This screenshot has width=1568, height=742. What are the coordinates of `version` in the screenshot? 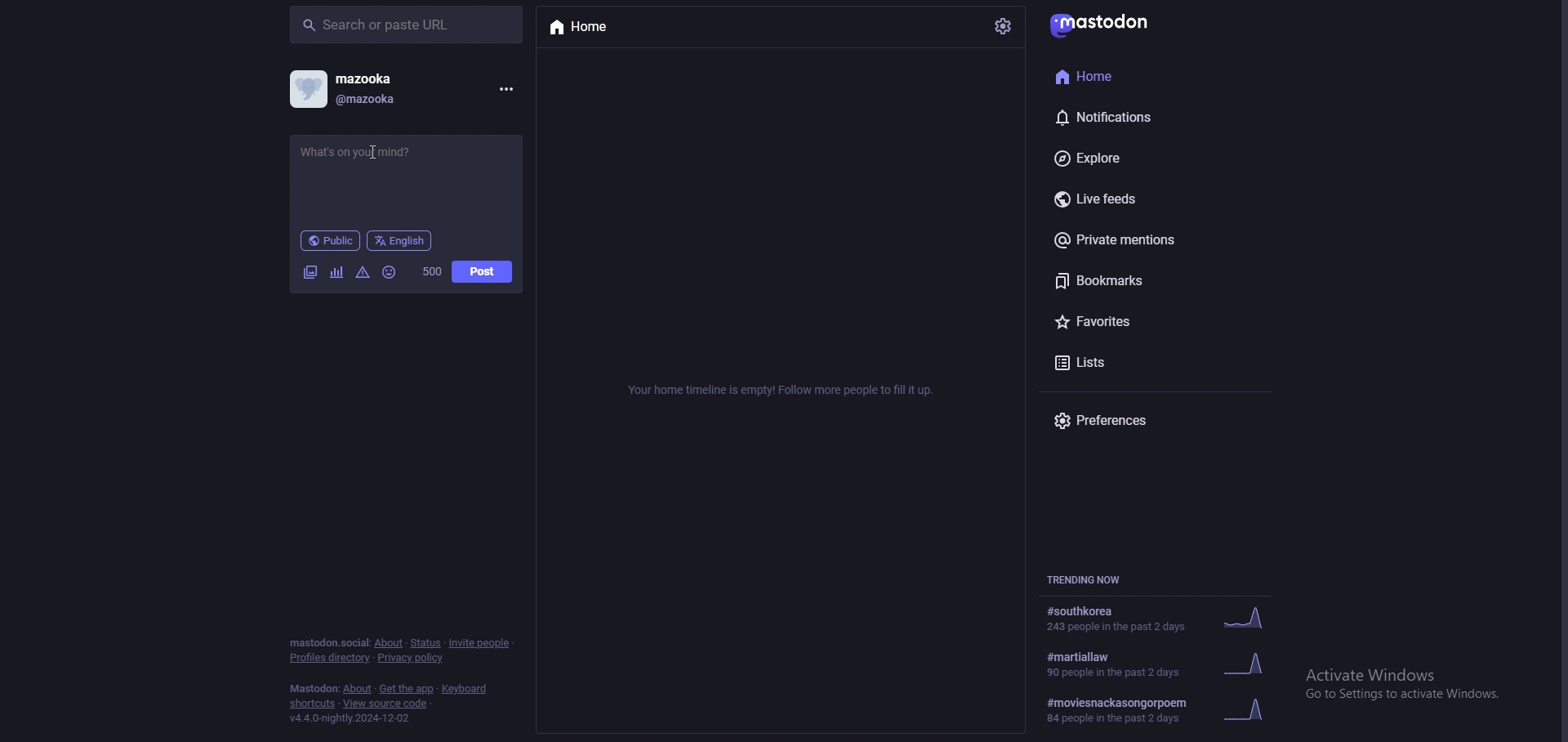 It's located at (356, 719).